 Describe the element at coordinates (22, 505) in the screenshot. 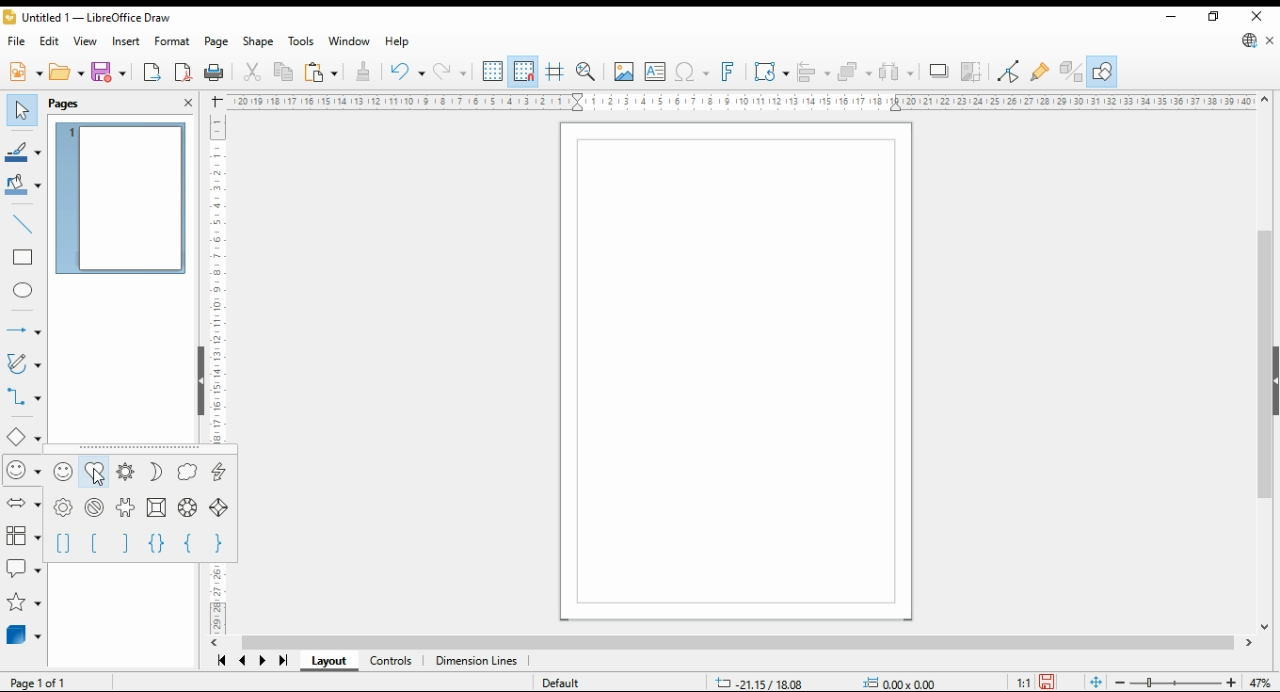

I see `block arrows` at that location.